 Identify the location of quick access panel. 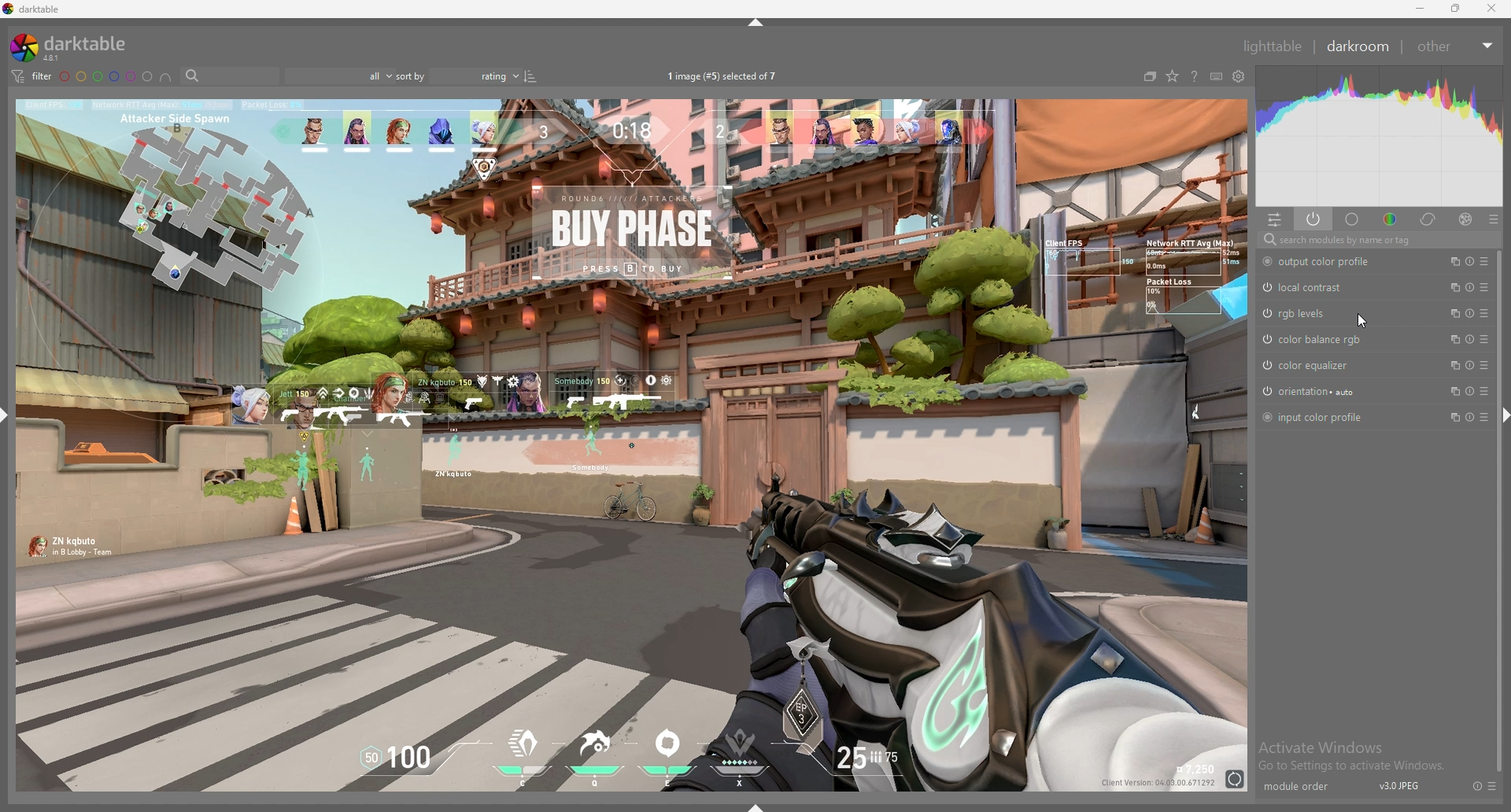
(1276, 220).